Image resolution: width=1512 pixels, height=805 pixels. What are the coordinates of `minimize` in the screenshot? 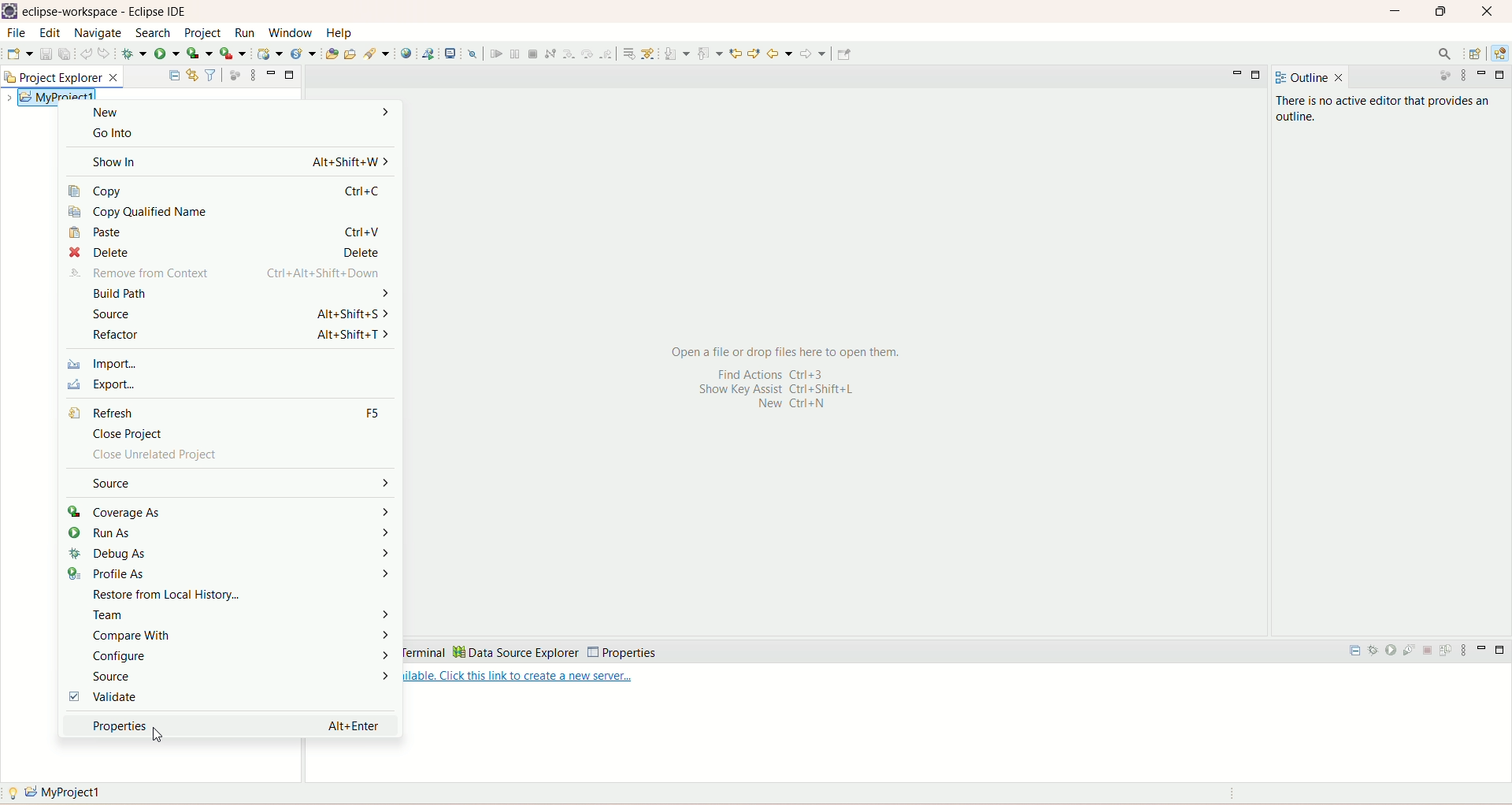 It's located at (1235, 74).